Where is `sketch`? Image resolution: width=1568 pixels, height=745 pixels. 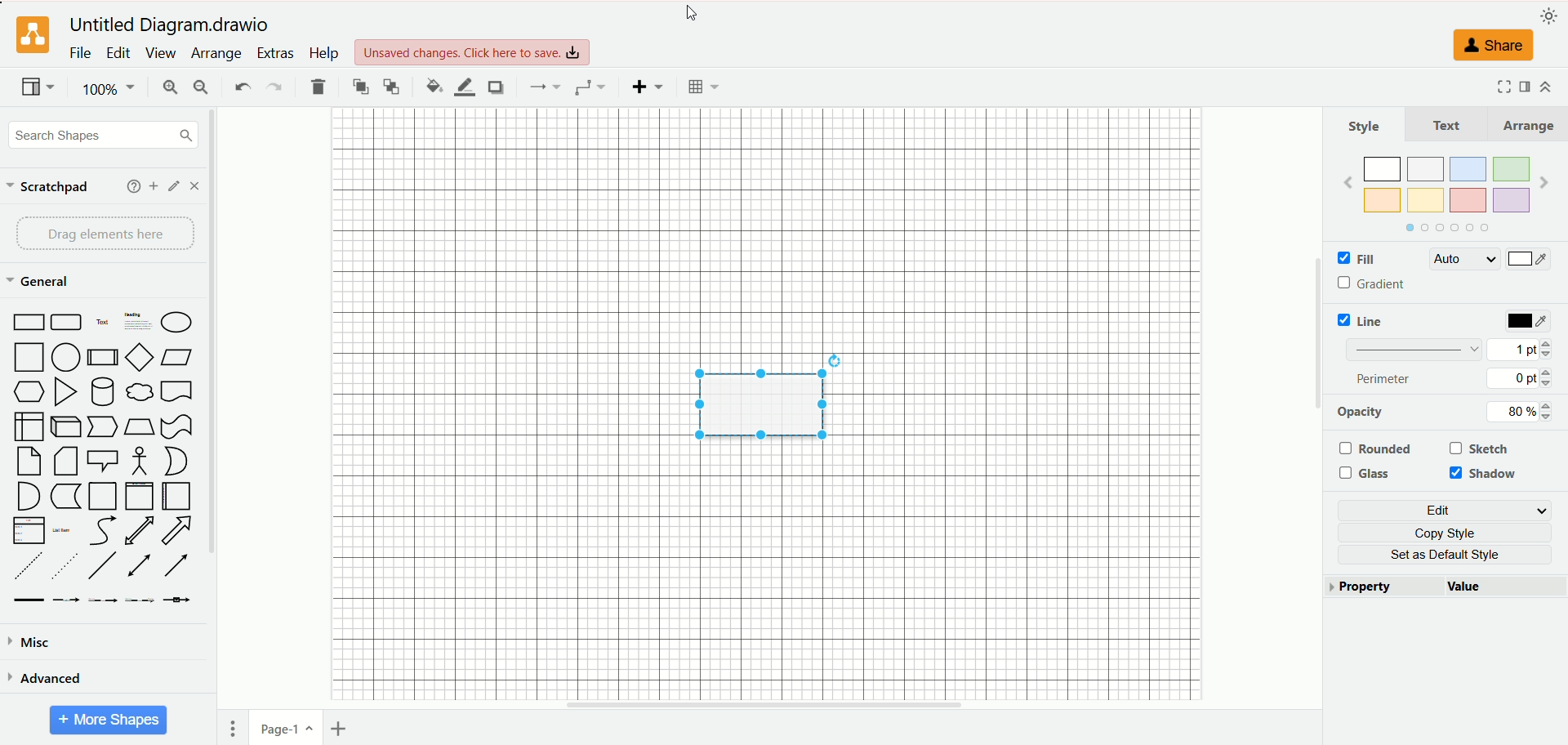 sketch is located at coordinates (1481, 448).